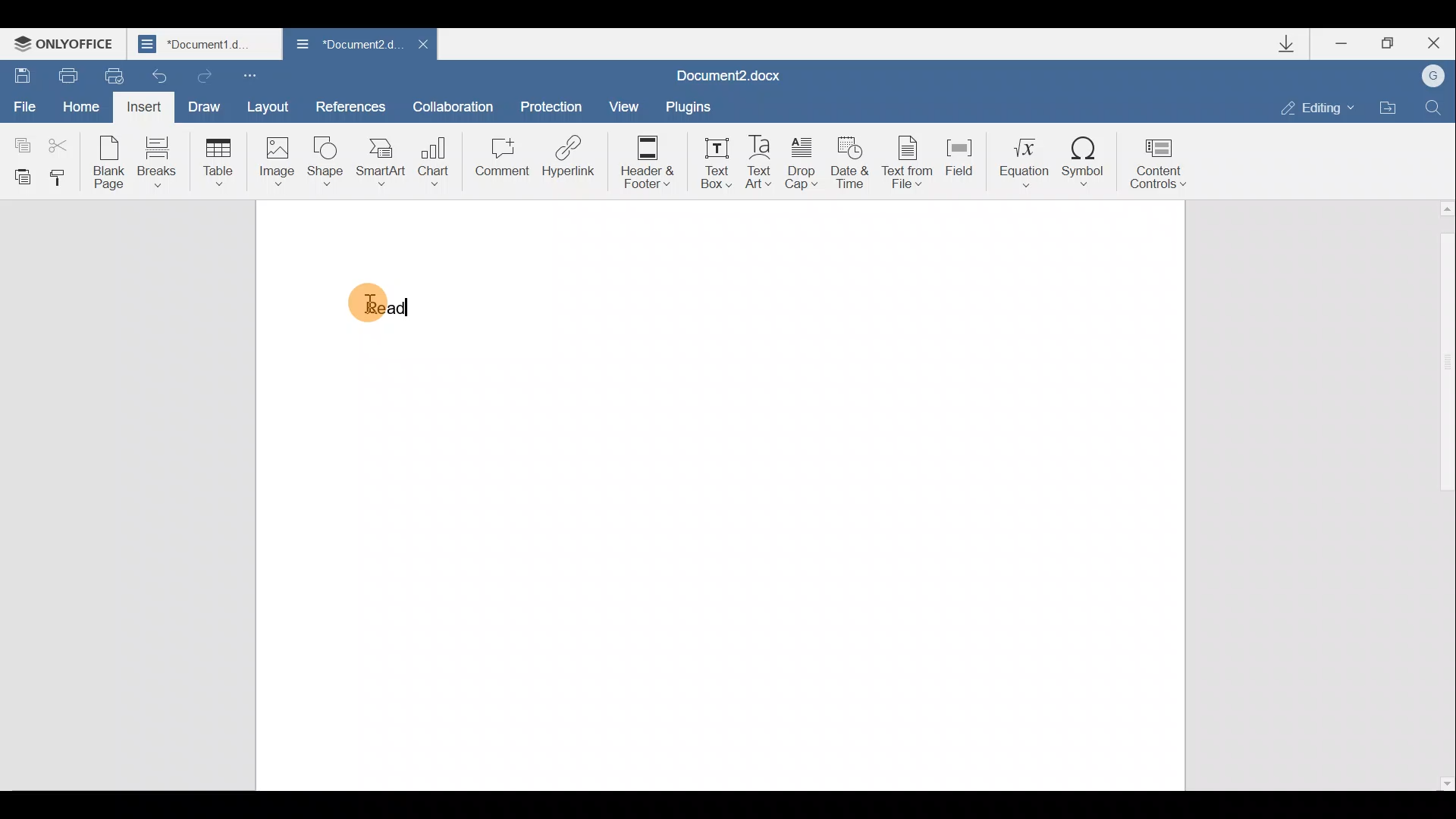 Image resolution: width=1456 pixels, height=819 pixels. What do you see at coordinates (63, 140) in the screenshot?
I see `Cut` at bounding box center [63, 140].